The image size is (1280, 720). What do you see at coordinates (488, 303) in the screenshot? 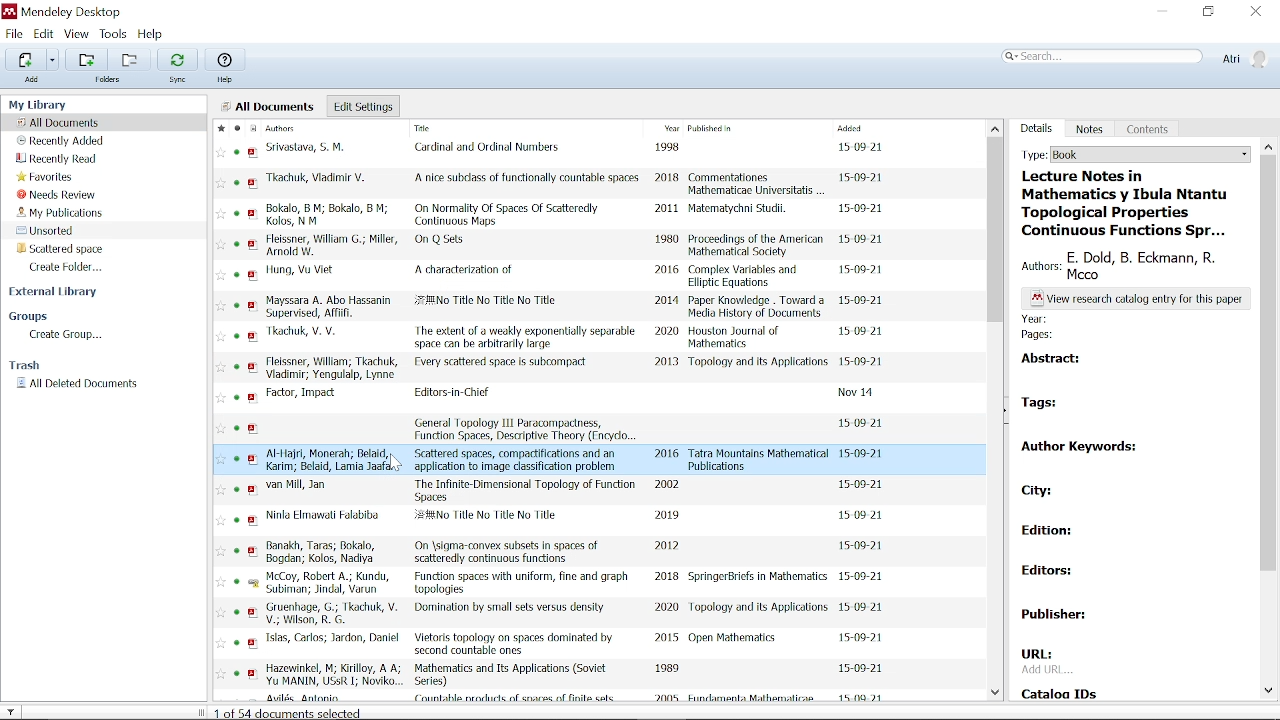
I see `title` at bounding box center [488, 303].